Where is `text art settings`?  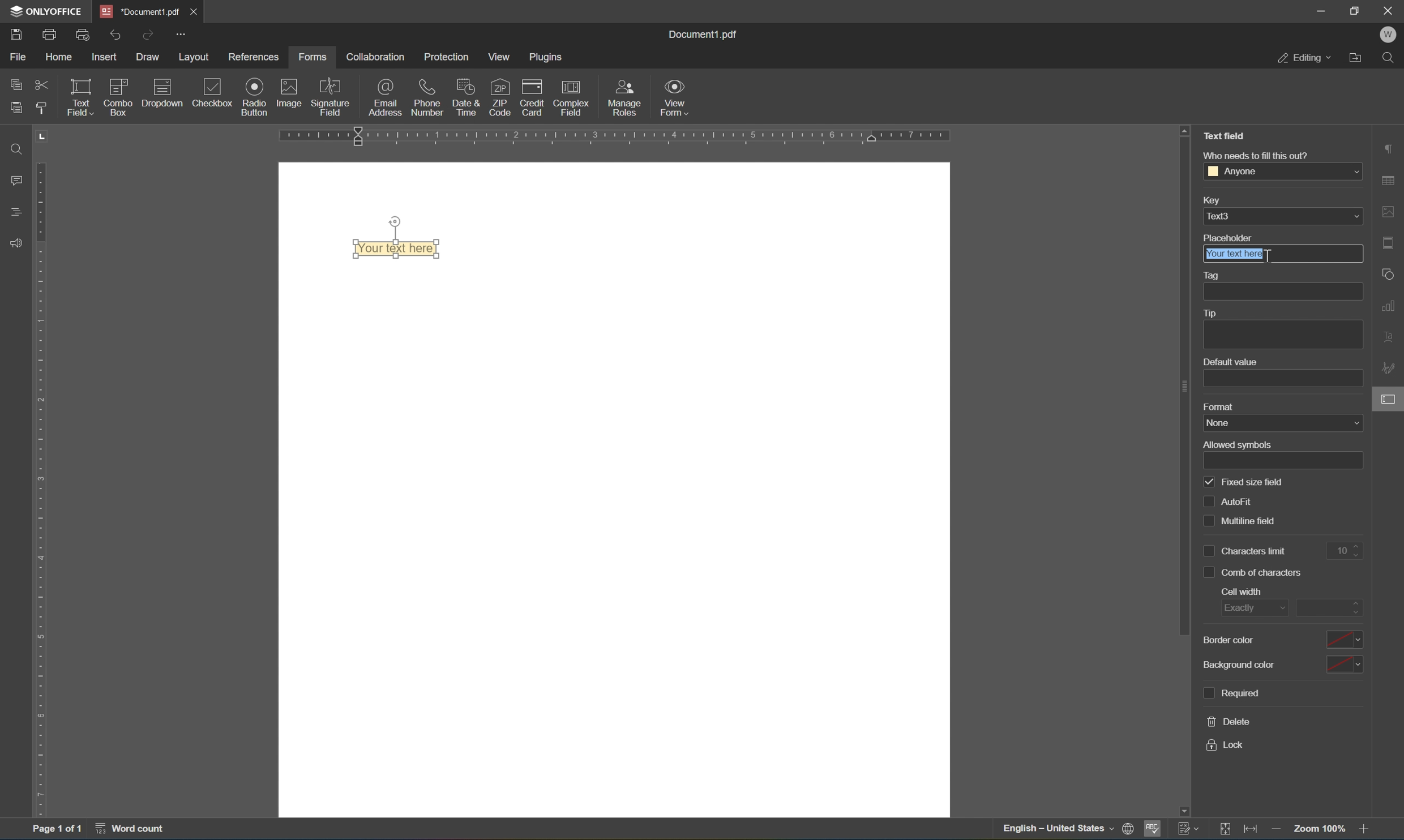
text art settings is located at coordinates (1393, 340).